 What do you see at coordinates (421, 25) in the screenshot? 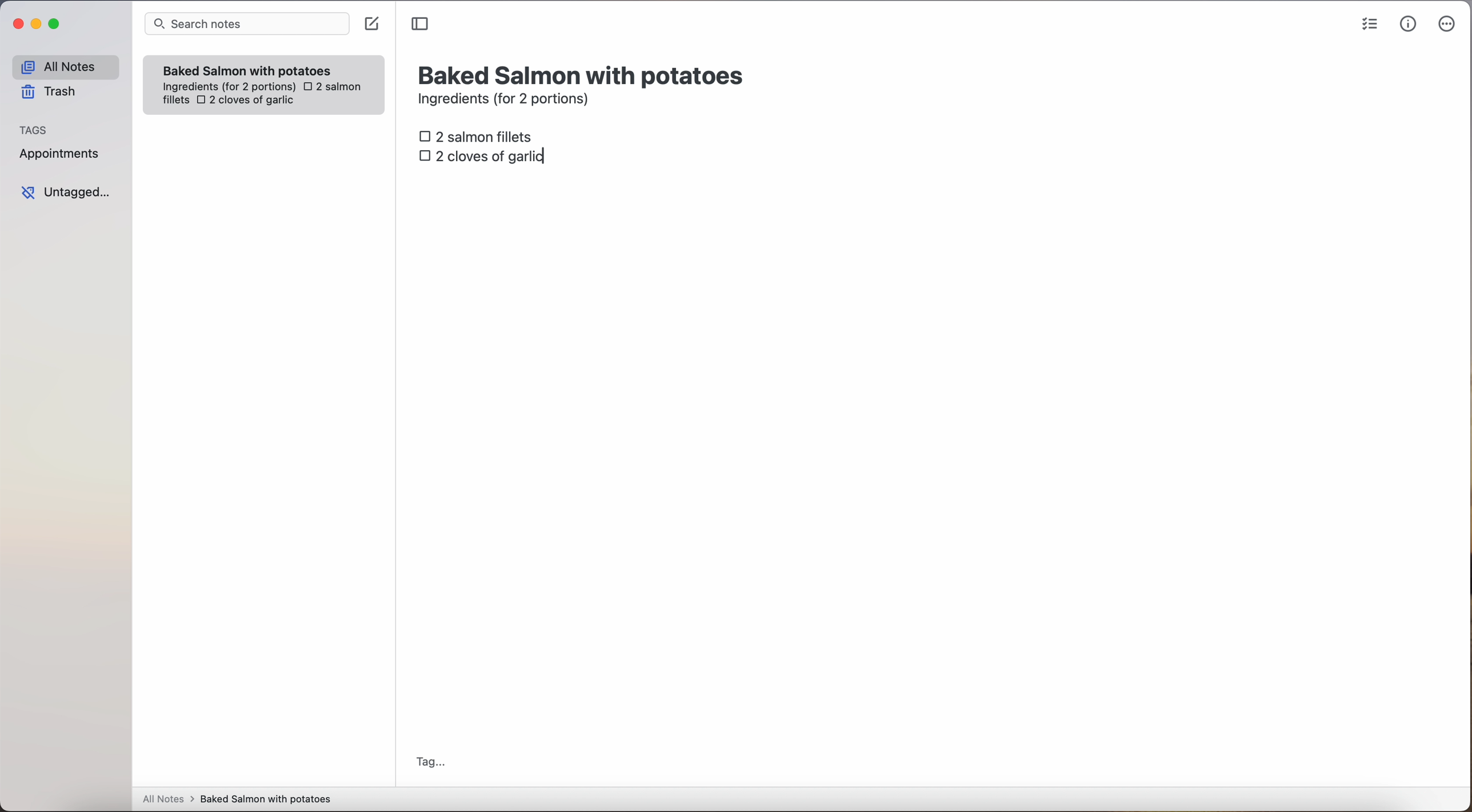
I see `toggle sidebar` at bounding box center [421, 25].